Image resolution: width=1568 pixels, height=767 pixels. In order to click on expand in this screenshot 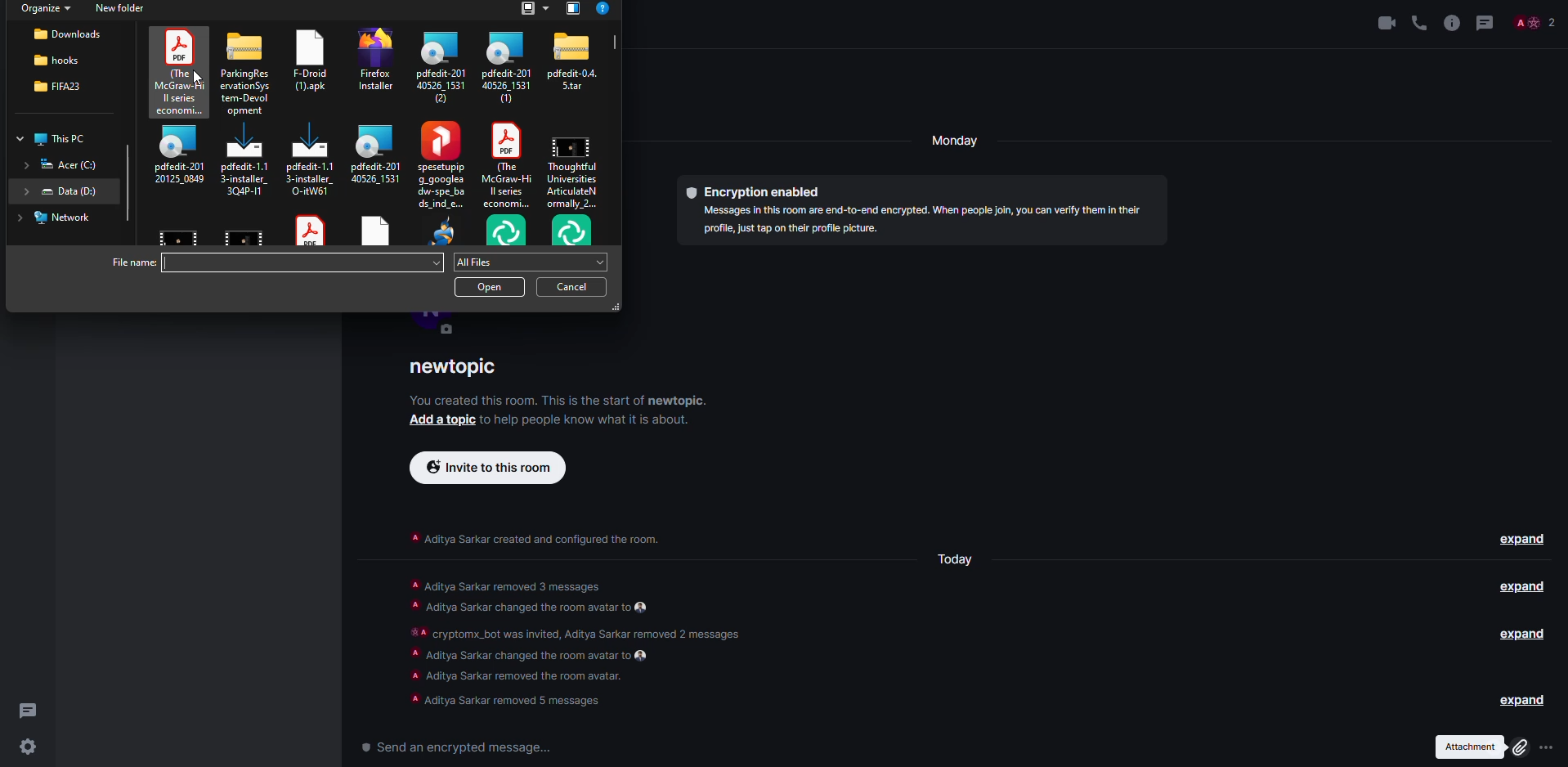, I will do `click(1519, 538)`.